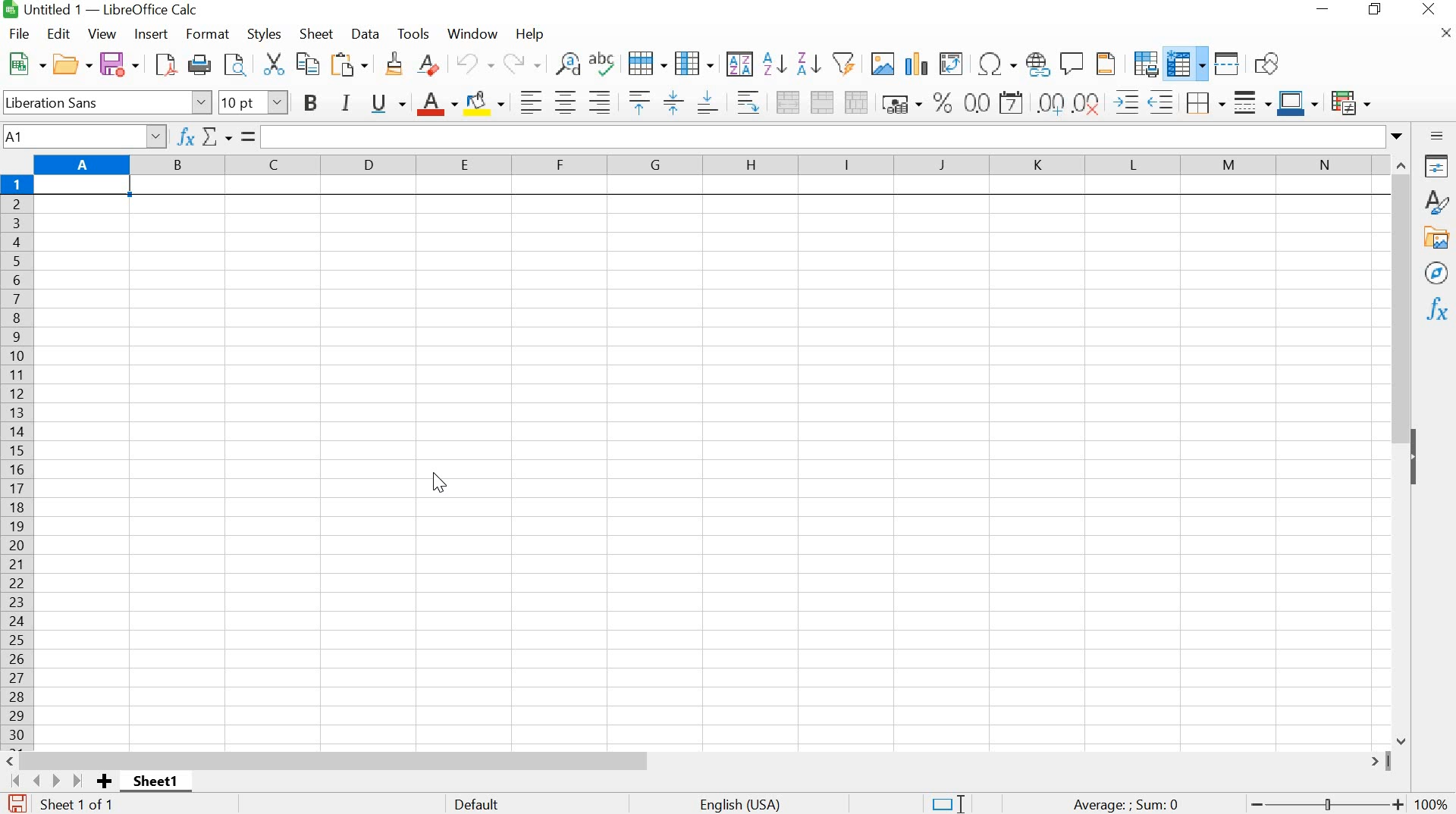 The image size is (1456, 814). What do you see at coordinates (393, 65) in the screenshot?
I see `CLONE FORMATTING` at bounding box center [393, 65].